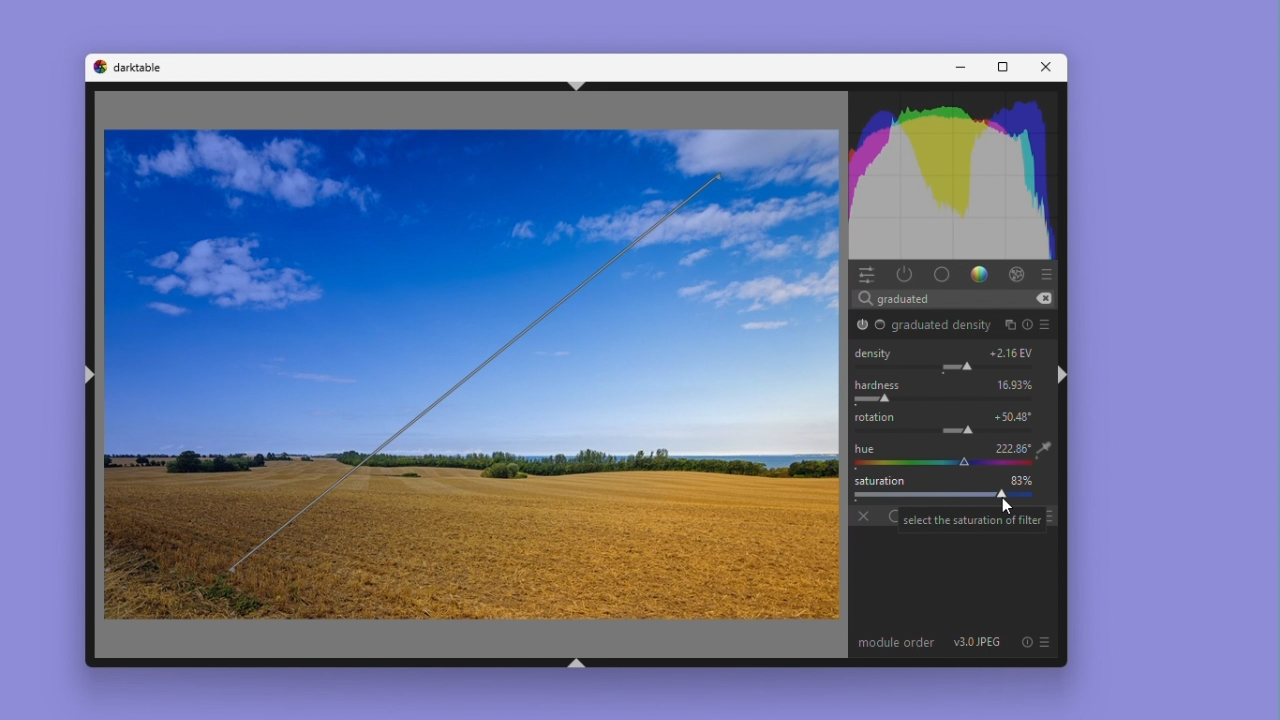 The image size is (1280, 720). I want to click on shift+ctrl+t, so click(578, 87).